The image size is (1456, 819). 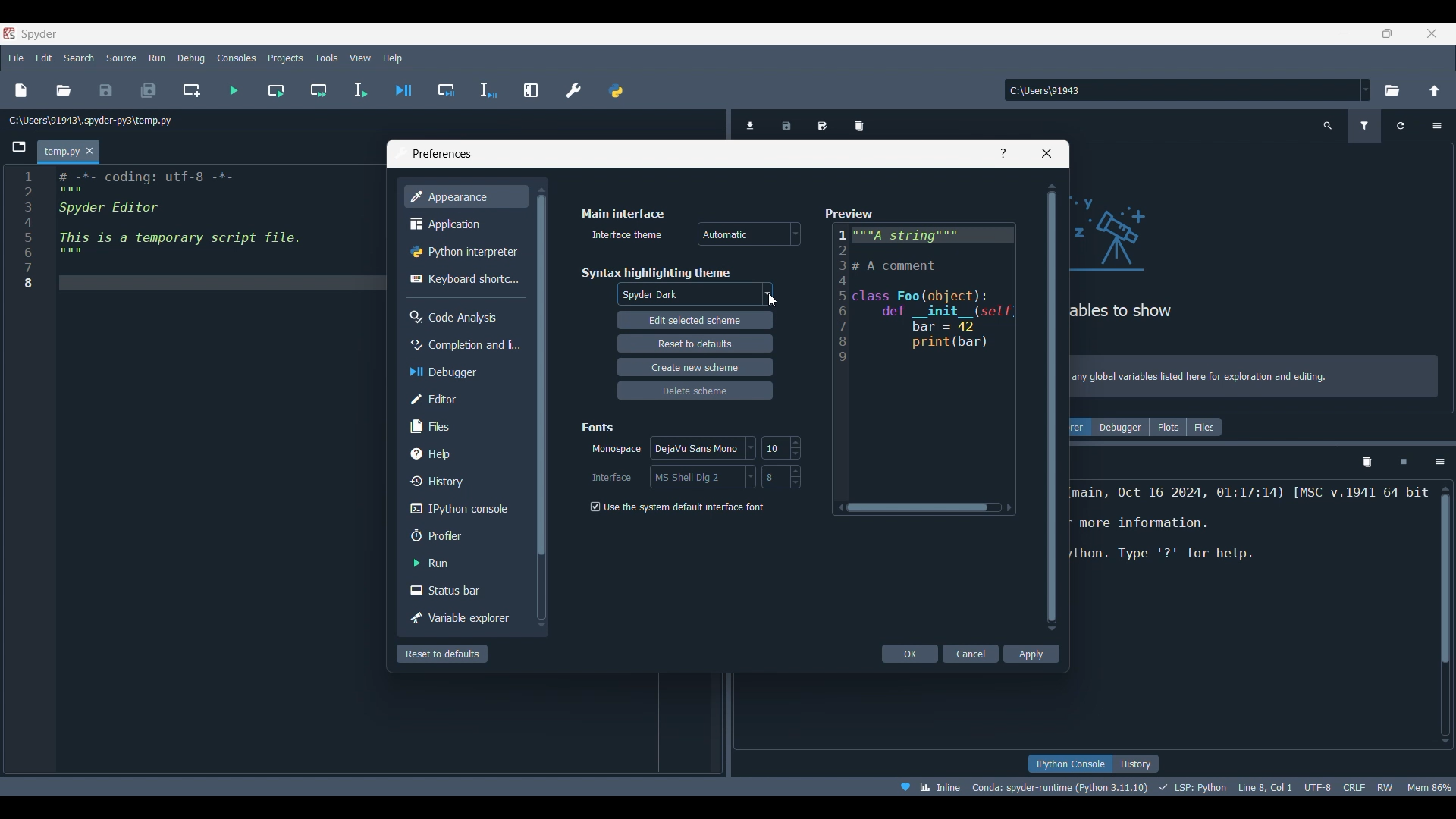 I want to click on Save, so click(x=105, y=90).